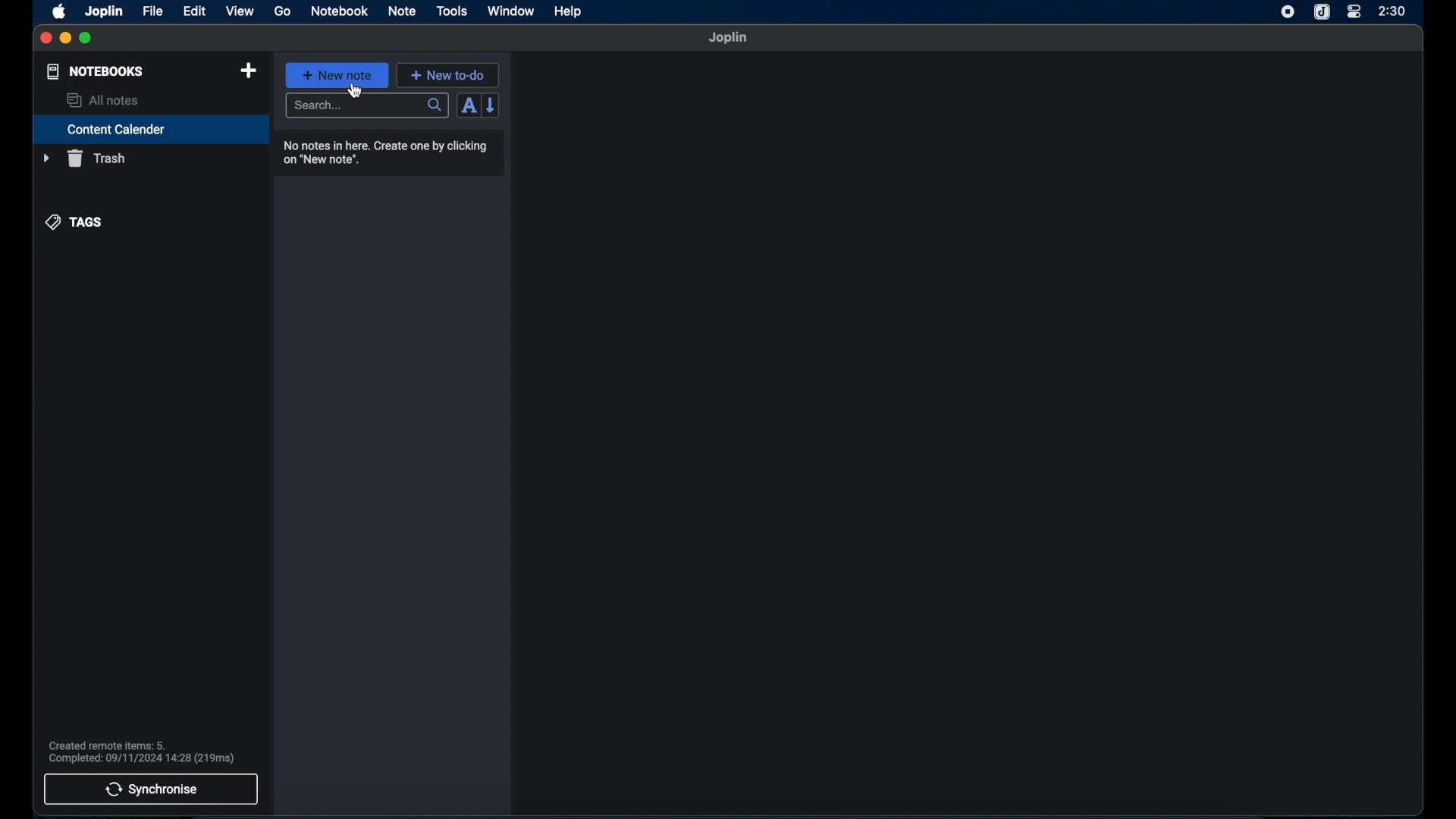  What do you see at coordinates (142, 750) in the screenshot?
I see `Created remote items:5 Completed 09/11/2014 14:28(219ms)` at bounding box center [142, 750].